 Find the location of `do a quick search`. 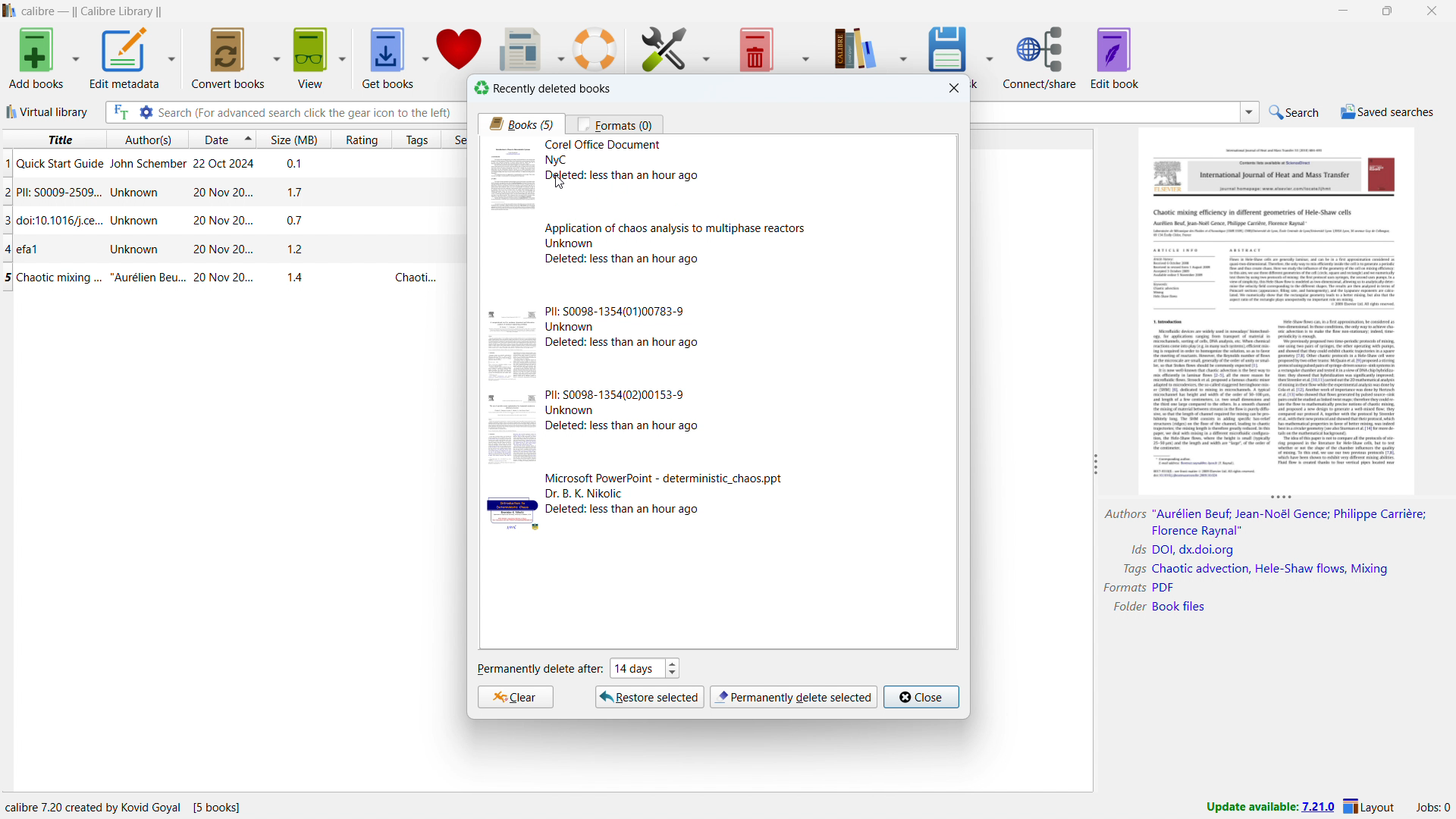

do a quick search is located at coordinates (1295, 113).